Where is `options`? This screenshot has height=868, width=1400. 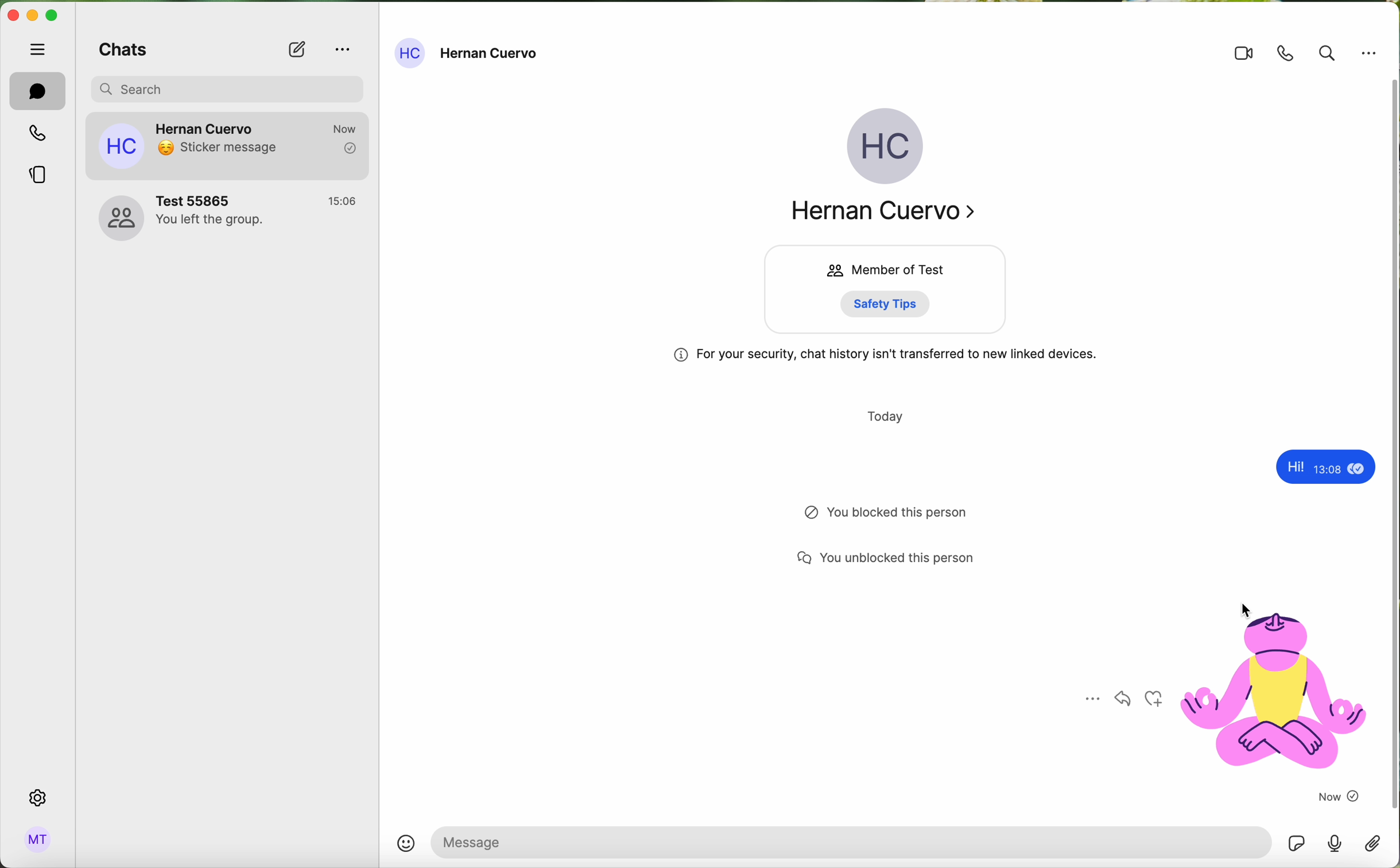
options is located at coordinates (342, 48).